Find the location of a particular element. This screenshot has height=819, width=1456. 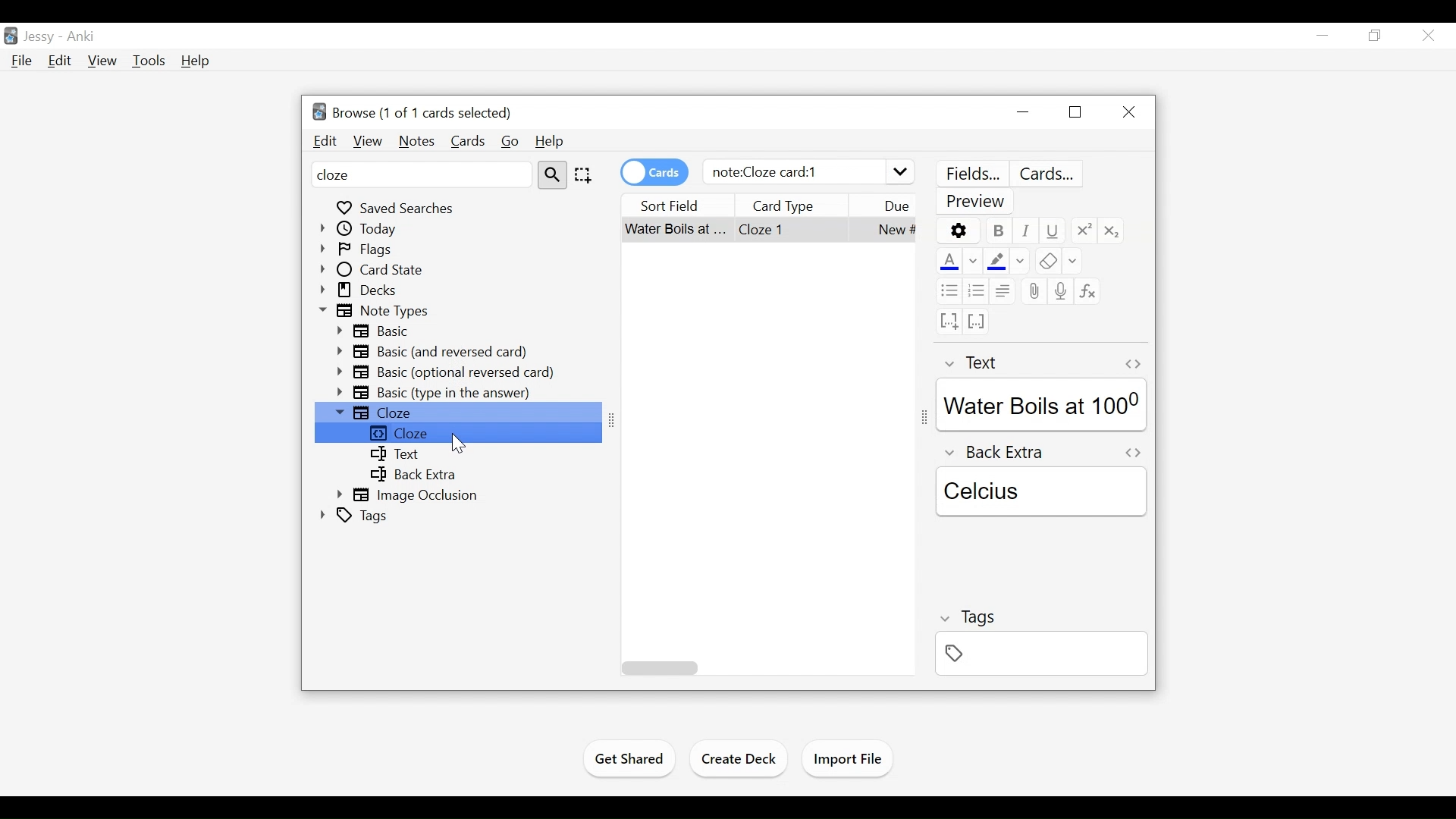

Go is located at coordinates (511, 141).